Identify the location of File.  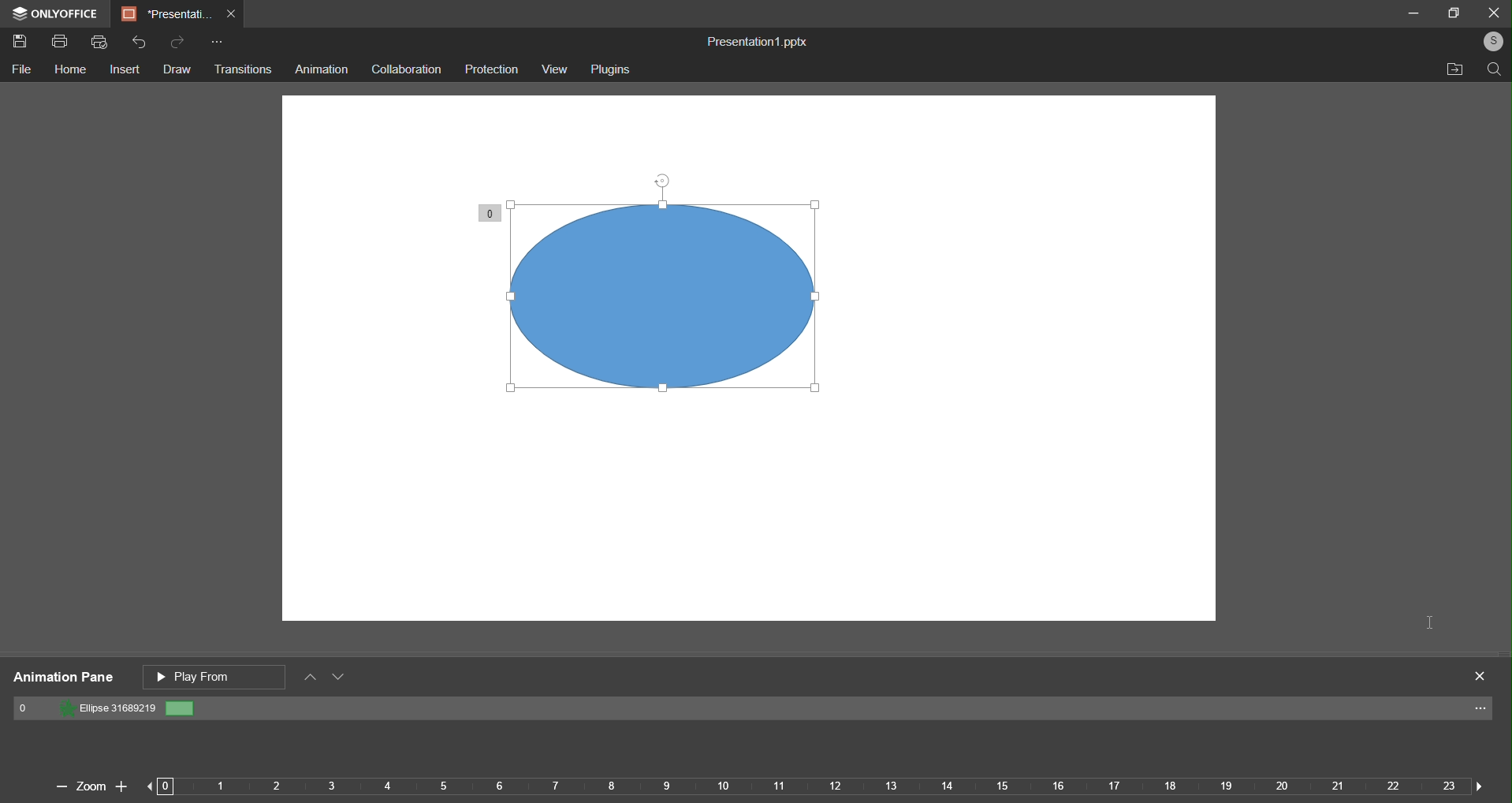
(24, 70).